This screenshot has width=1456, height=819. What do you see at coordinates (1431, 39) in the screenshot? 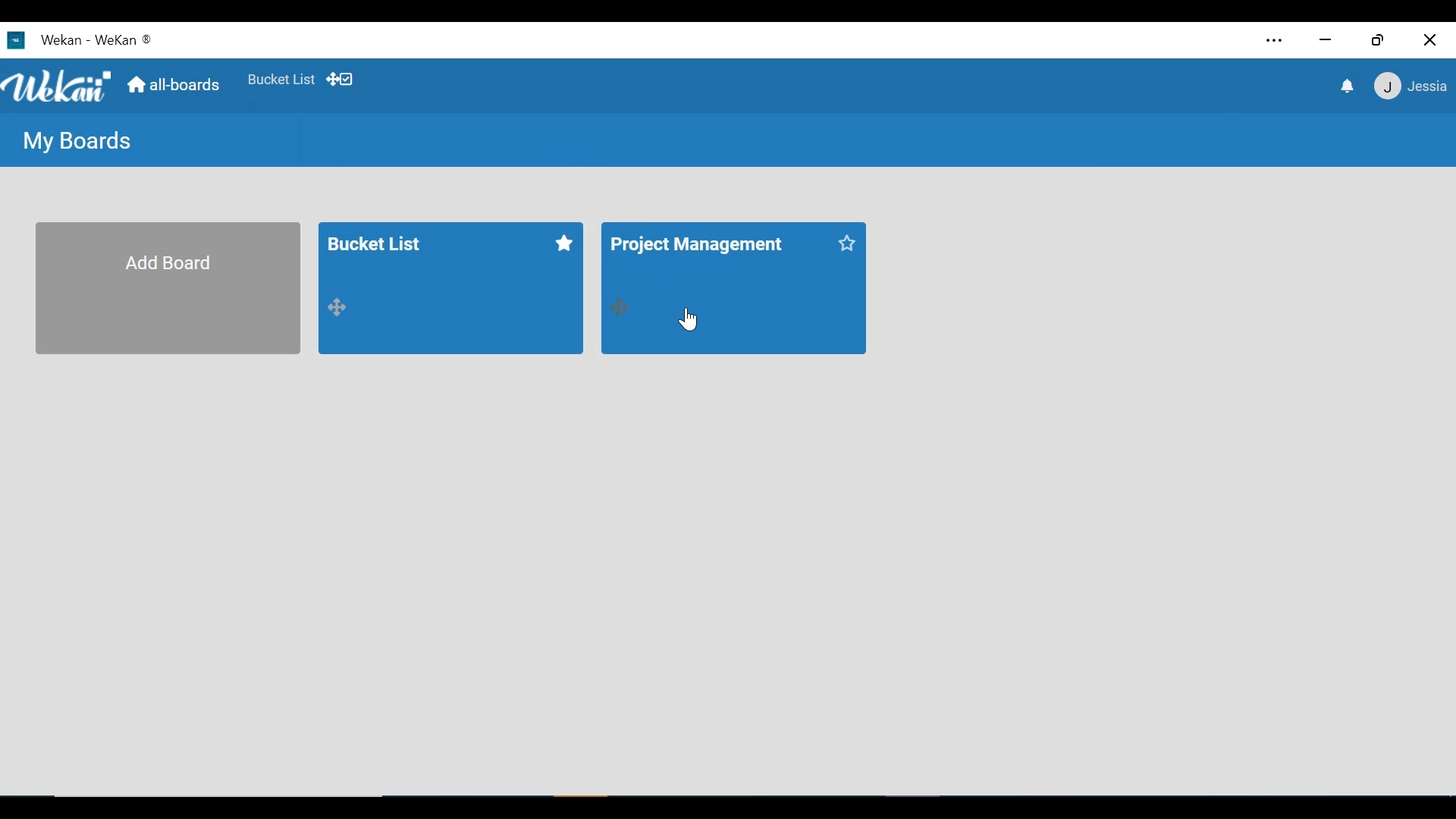
I see `Close` at bounding box center [1431, 39].